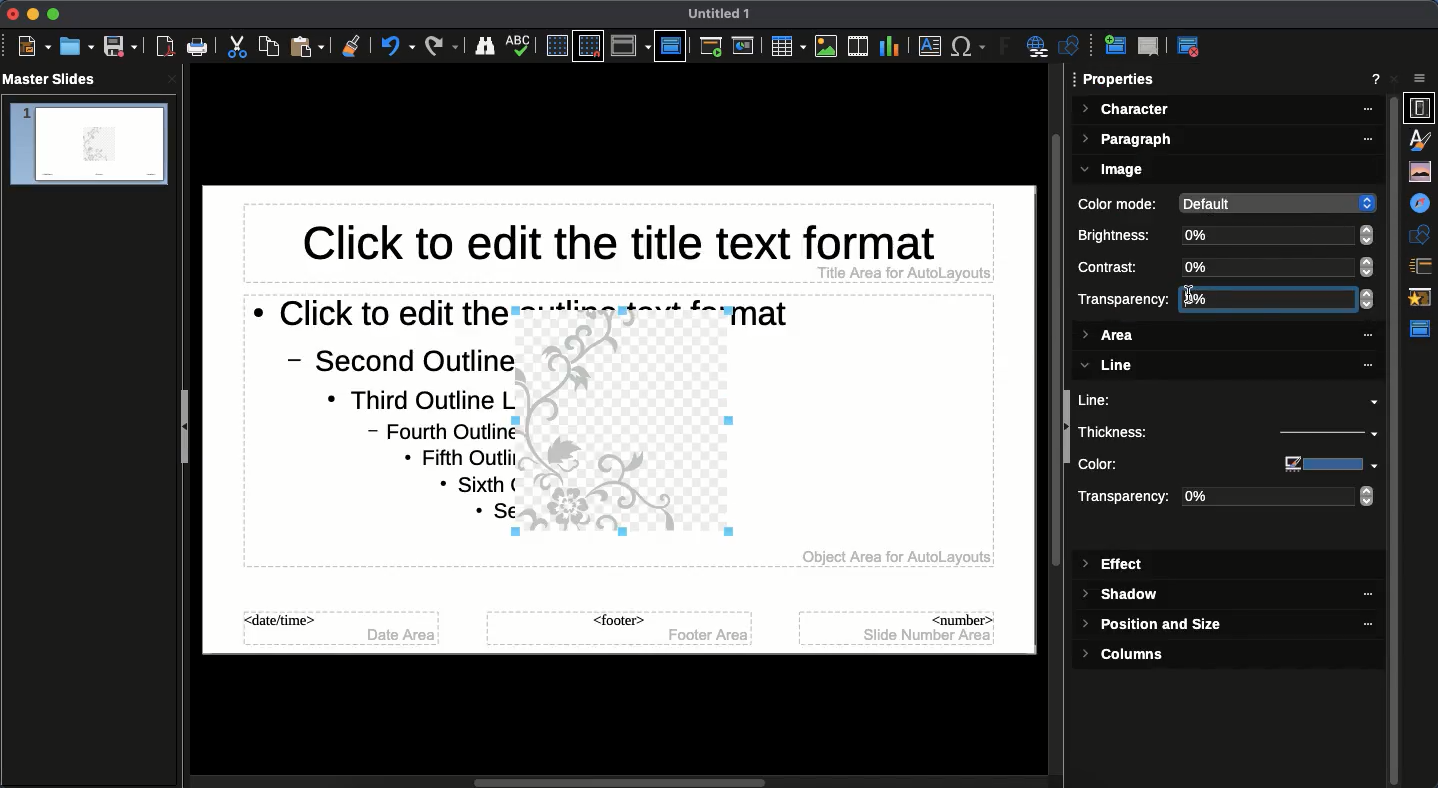  What do you see at coordinates (1155, 627) in the screenshot?
I see `Position and size` at bounding box center [1155, 627].